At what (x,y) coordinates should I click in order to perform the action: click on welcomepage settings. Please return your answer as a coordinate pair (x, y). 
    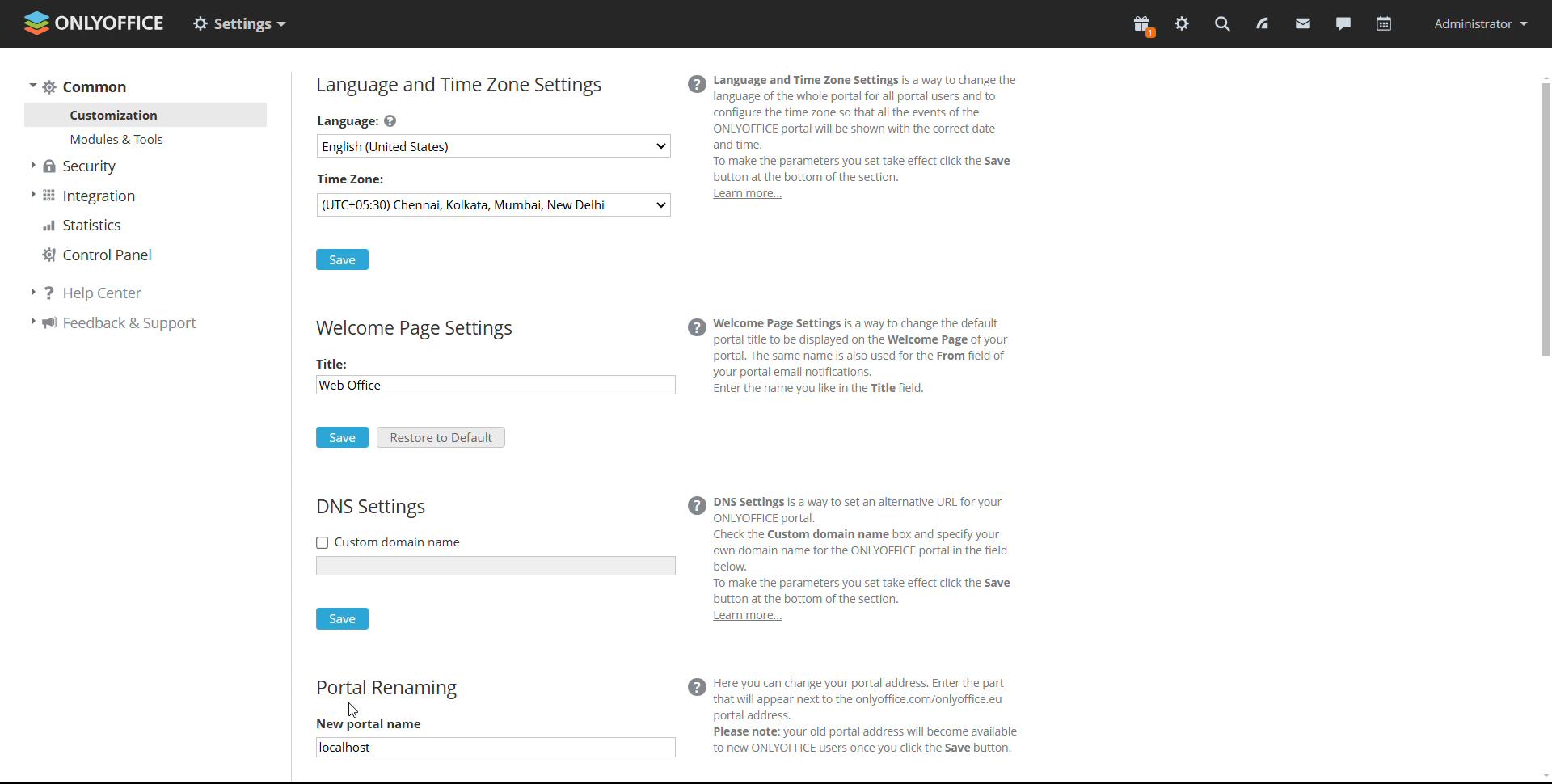
    Looking at the image, I should click on (412, 331).